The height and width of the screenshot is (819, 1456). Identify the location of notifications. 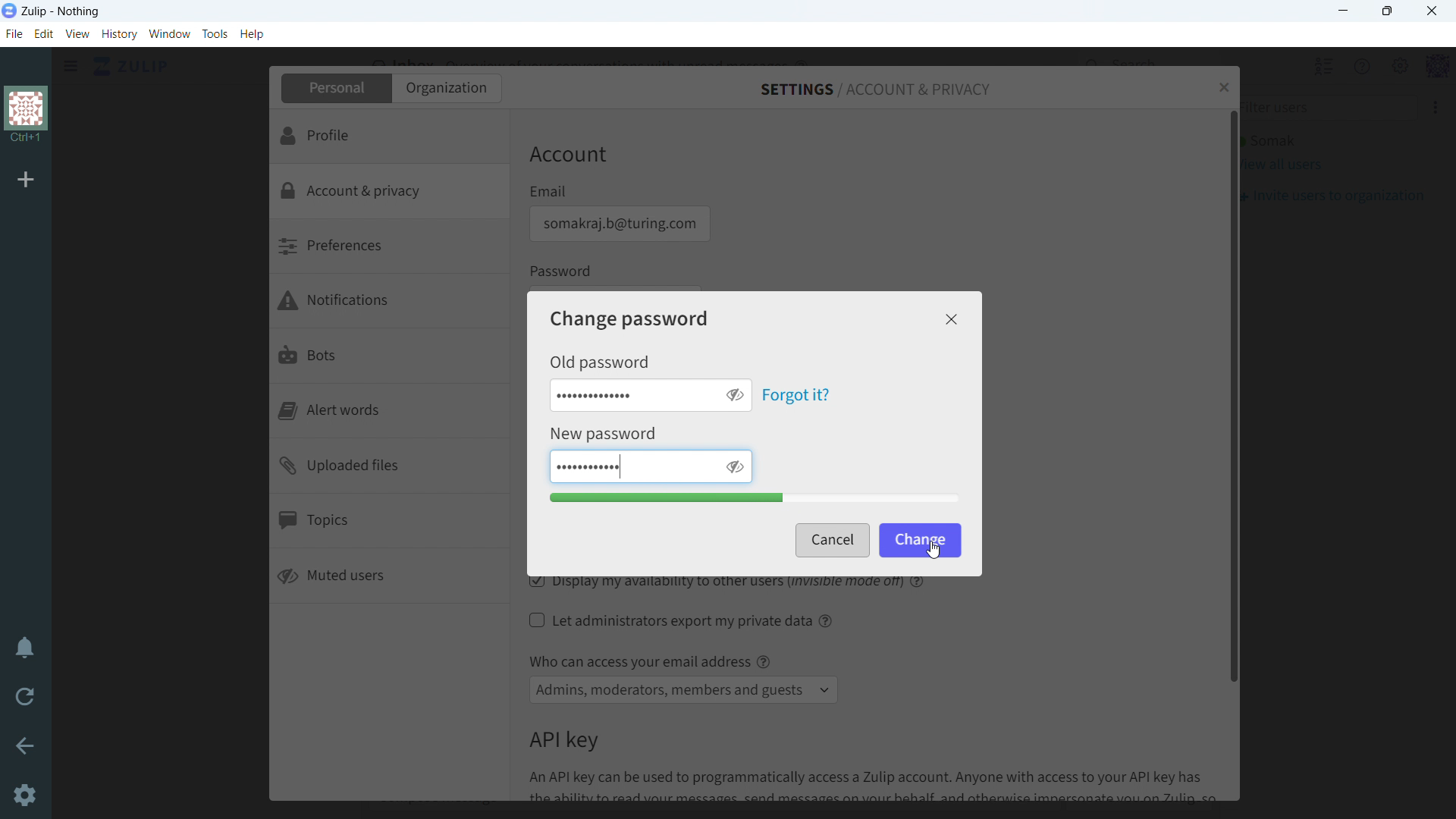
(391, 303).